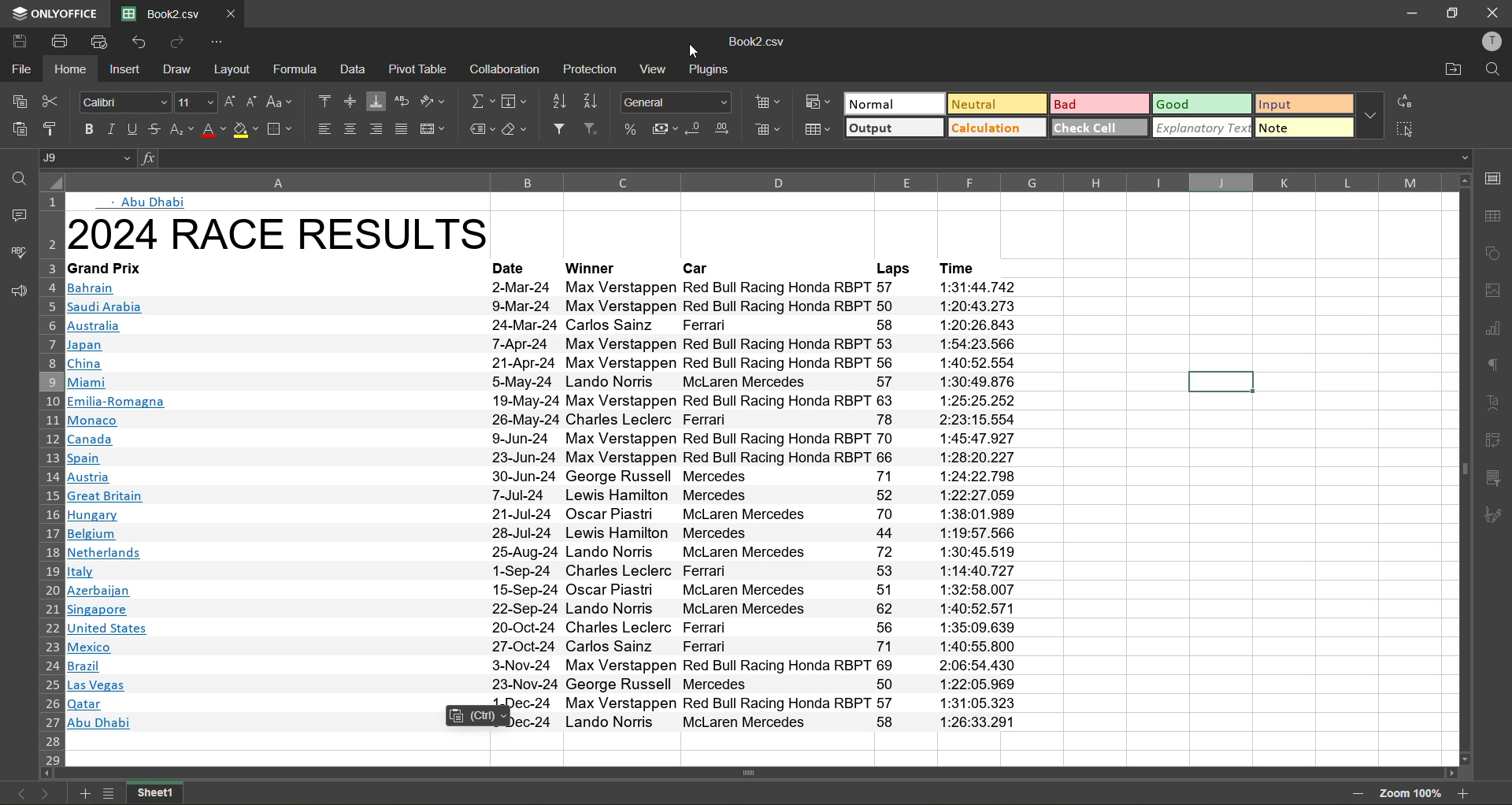 This screenshot has width=1512, height=805. I want to click on text info, so click(544, 420).